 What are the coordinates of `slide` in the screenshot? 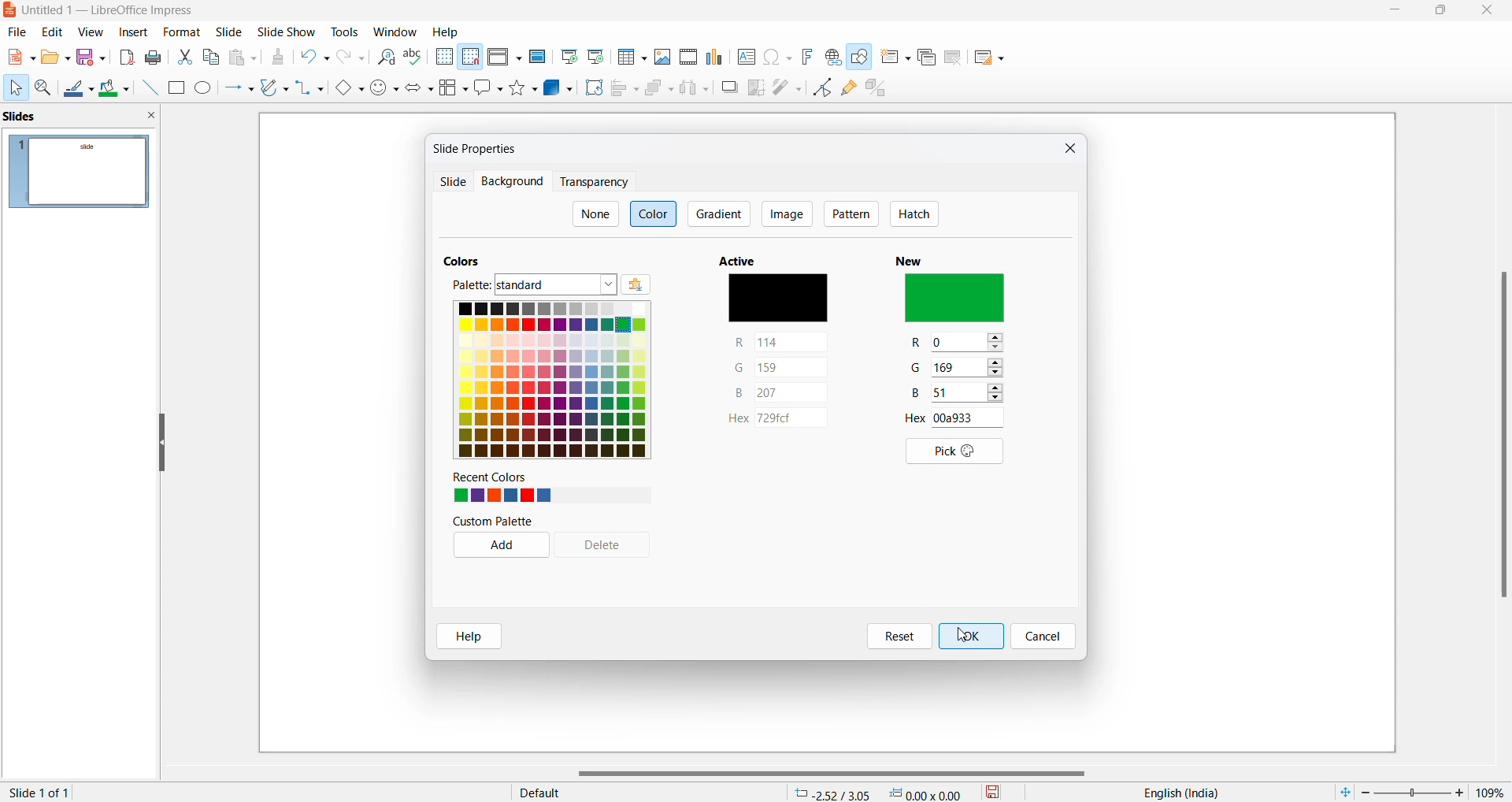 It's located at (181, 32).